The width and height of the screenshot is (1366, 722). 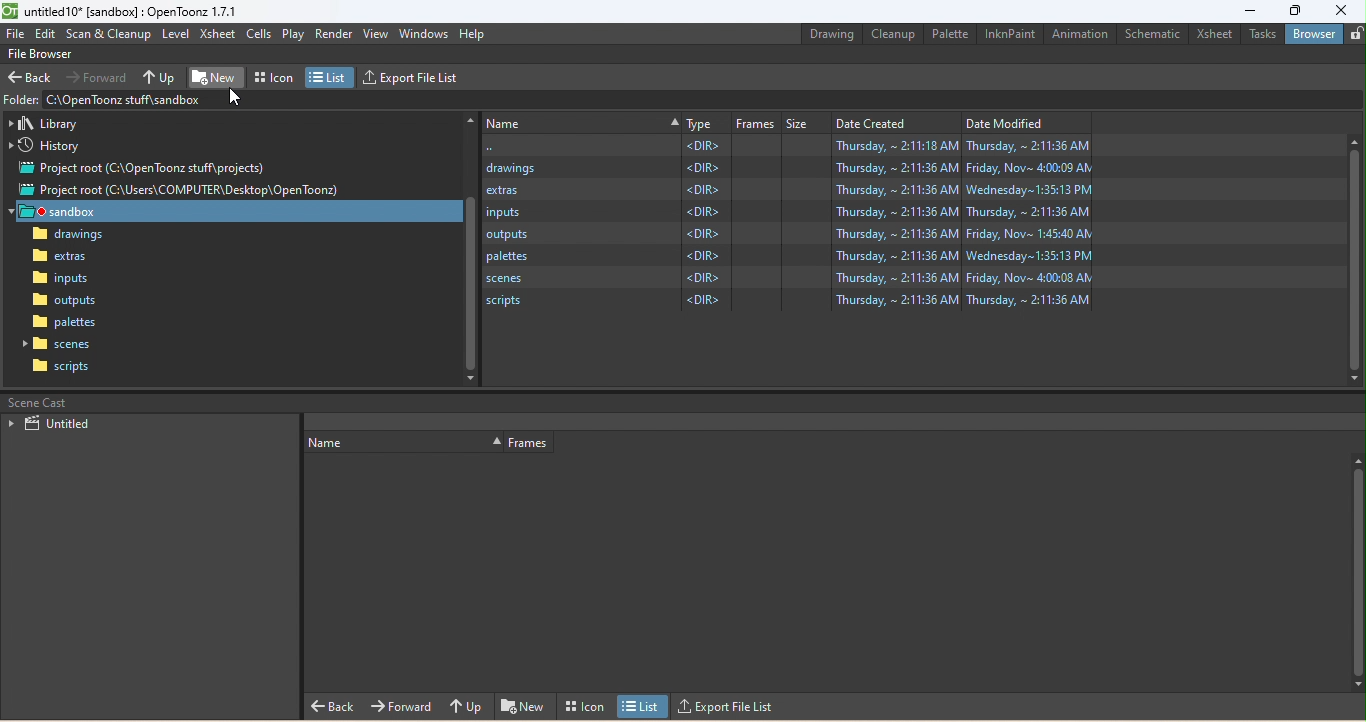 I want to click on Edit, so click(x=46, y=33).